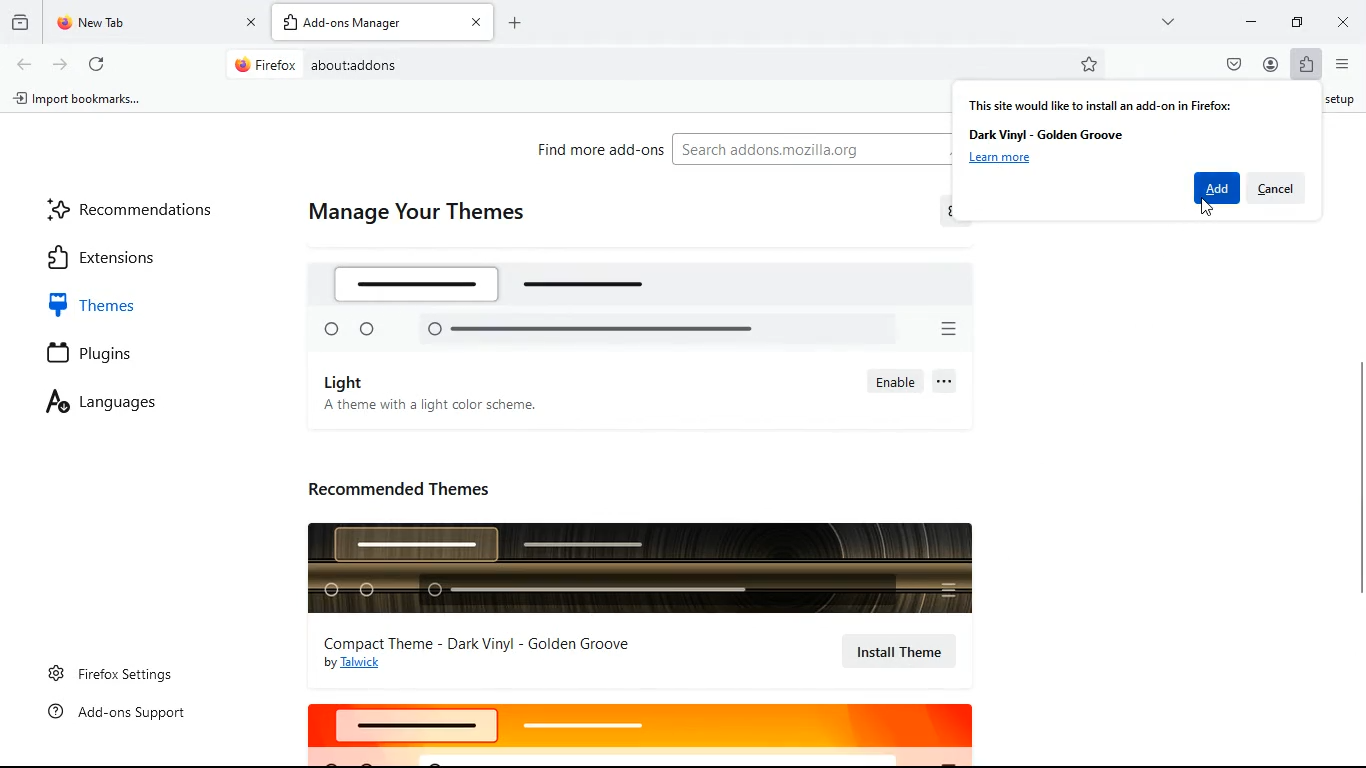 Image resolution: width=1366 pixels, height=768 pixels. I want to click on close, so click(1346, 20).